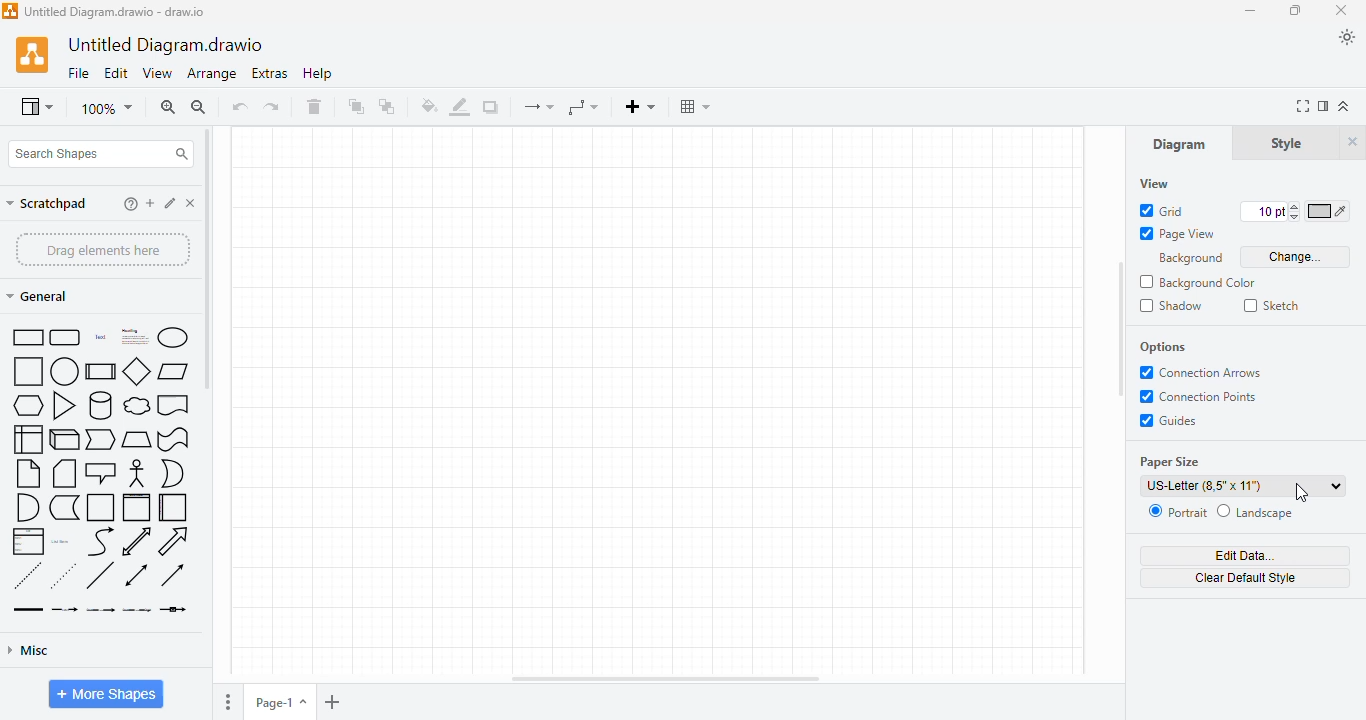 The image size is (1366, 720). What do you see at coordinates (101, 507) in the screenshot?
I see `container` at bounding box center [101, 507].